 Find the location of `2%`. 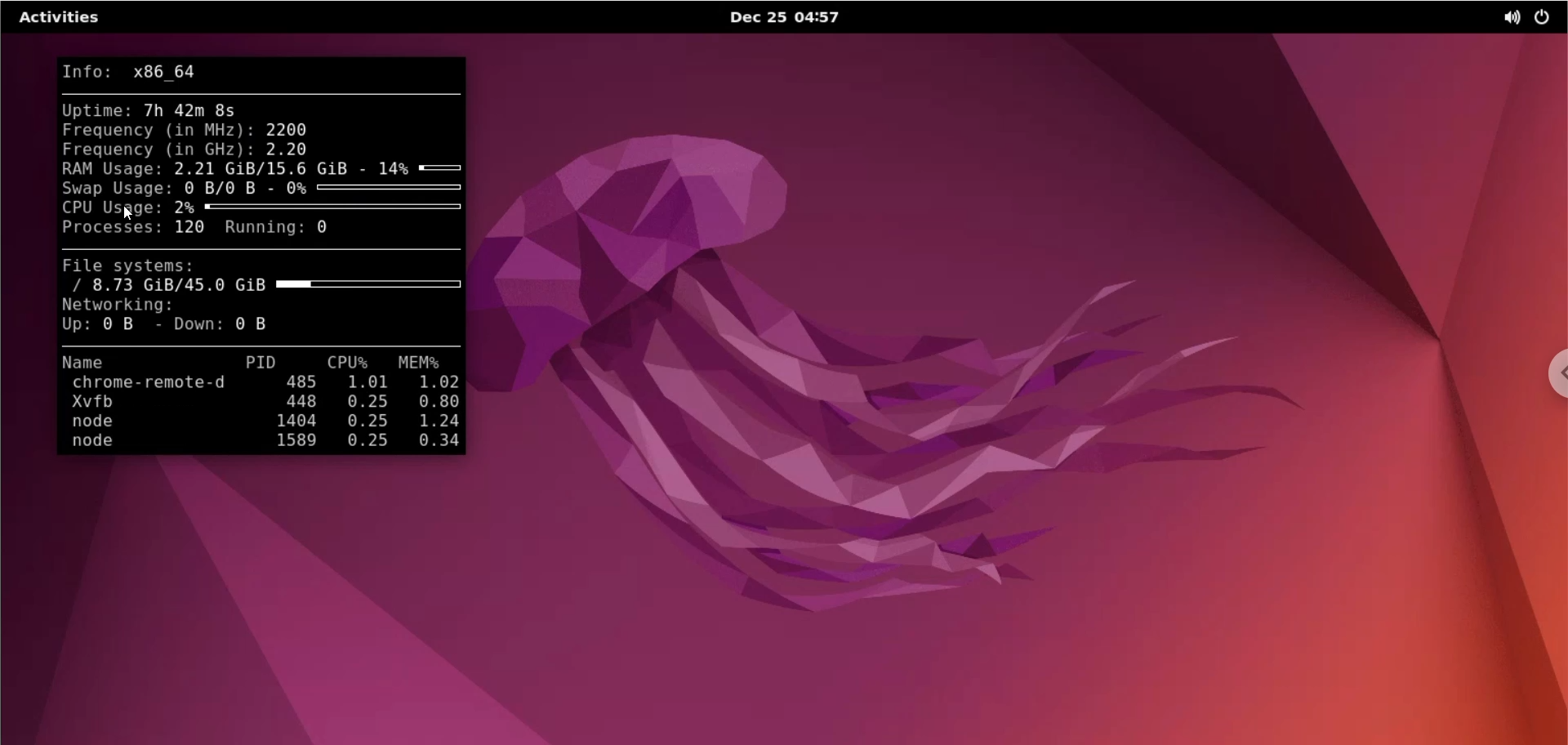

2% is located at coordinates (320, 208).